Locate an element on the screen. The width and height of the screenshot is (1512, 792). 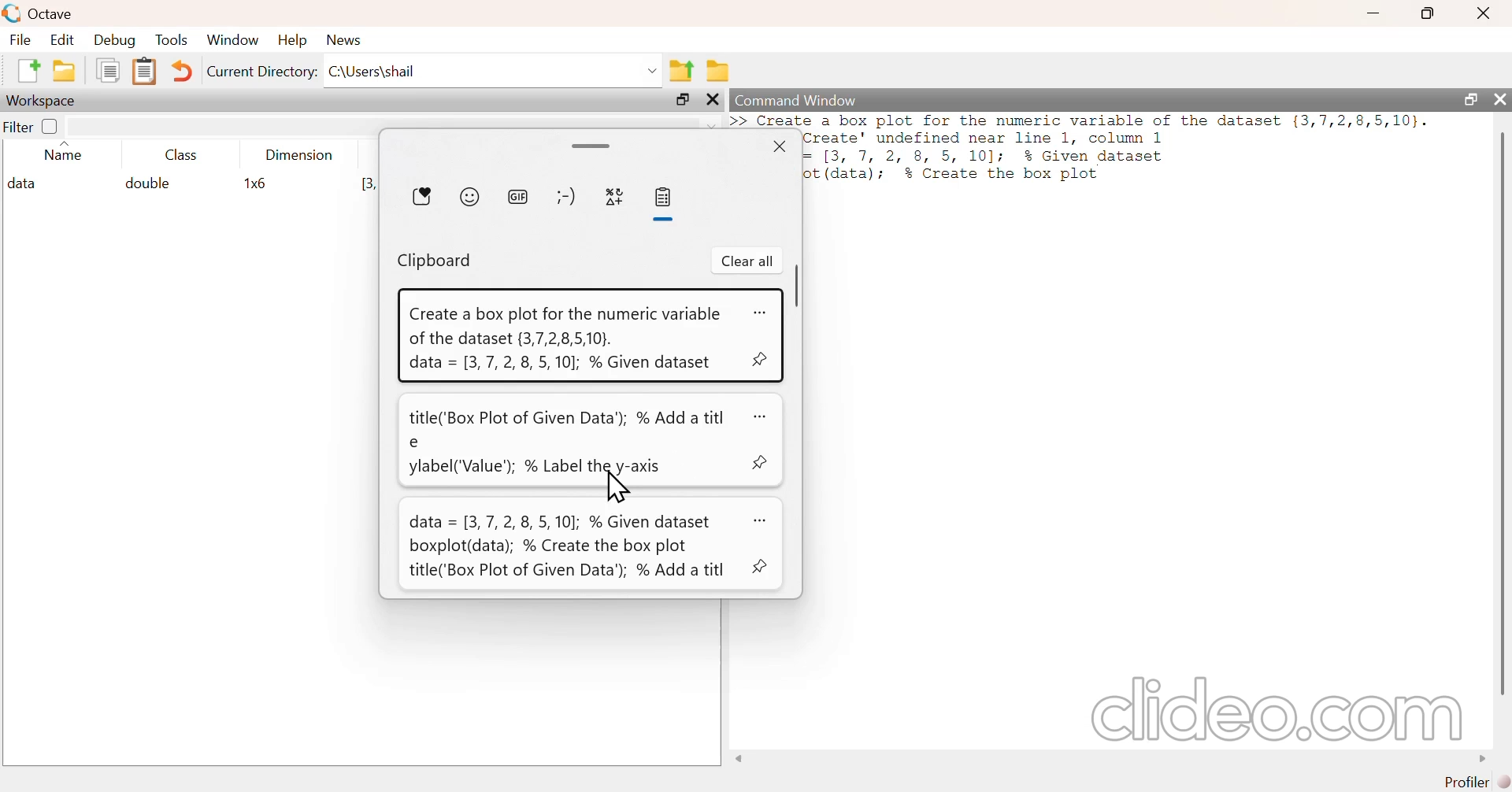
emoji is located at coordinates (469, 200).